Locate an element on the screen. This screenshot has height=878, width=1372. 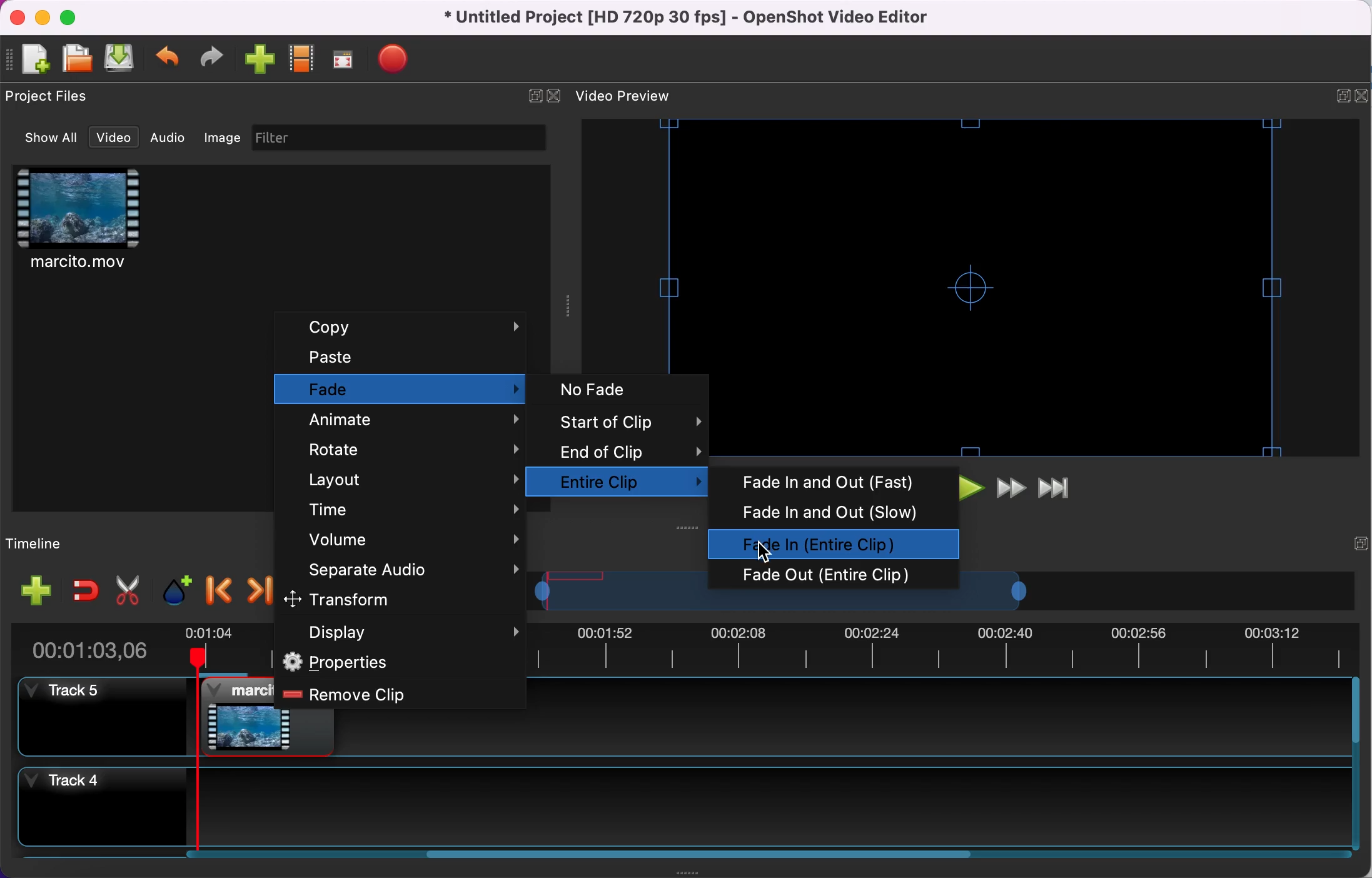
layout is located at coordinates (409, 482).